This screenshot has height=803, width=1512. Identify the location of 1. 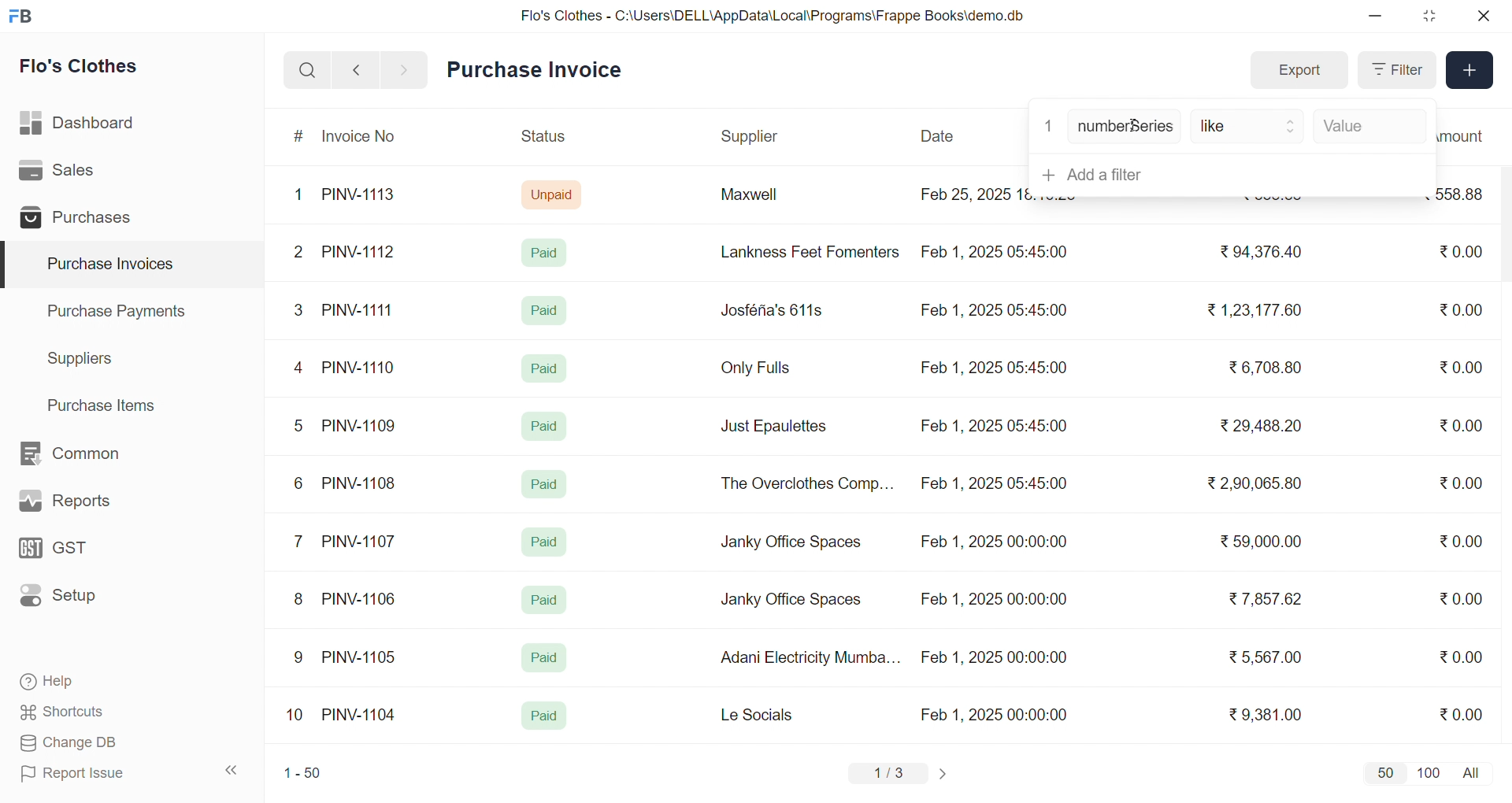
(302, 195).